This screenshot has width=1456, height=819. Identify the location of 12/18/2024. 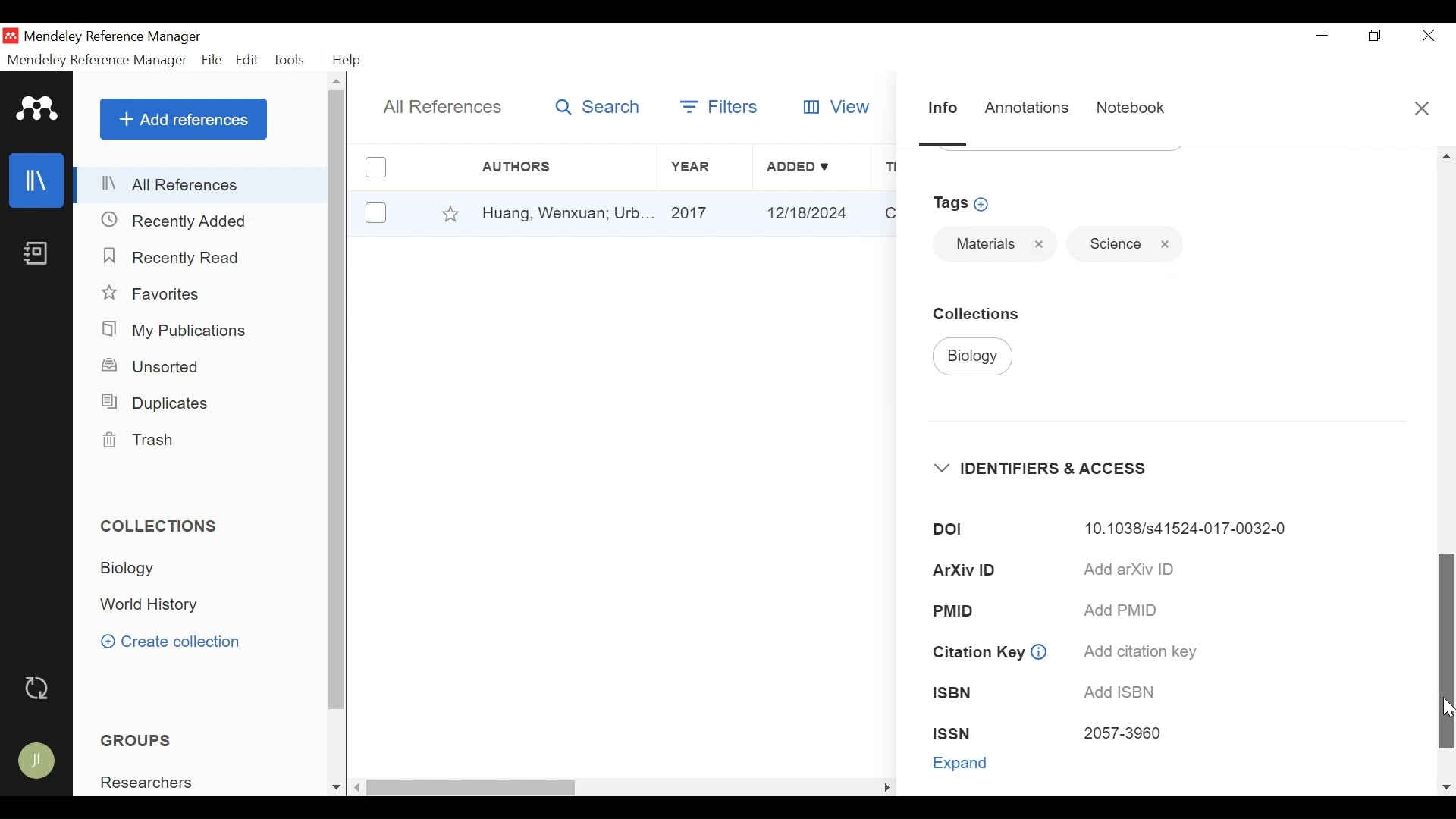
(811, 212).